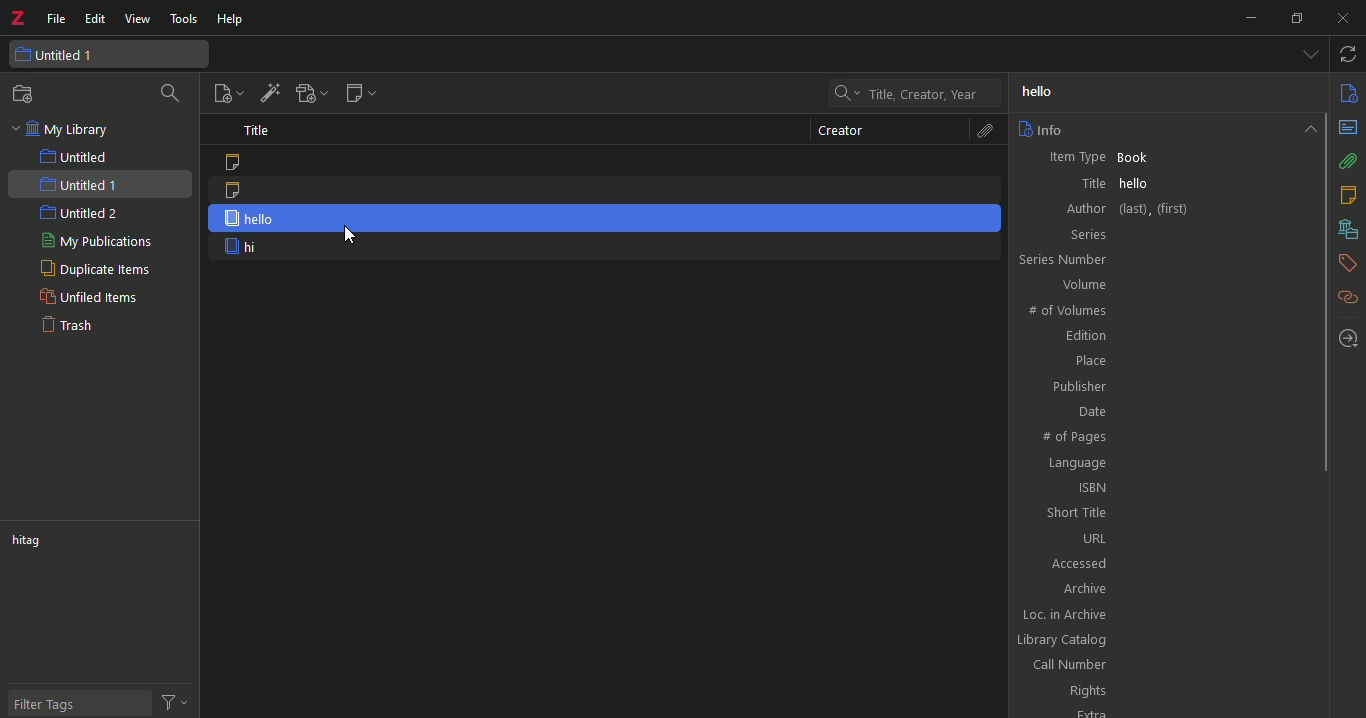 The height and width of the screenshot is (718, 1366). Describe the element at coordinates (271, 94) in the screenshot. I see `add item` at that location.